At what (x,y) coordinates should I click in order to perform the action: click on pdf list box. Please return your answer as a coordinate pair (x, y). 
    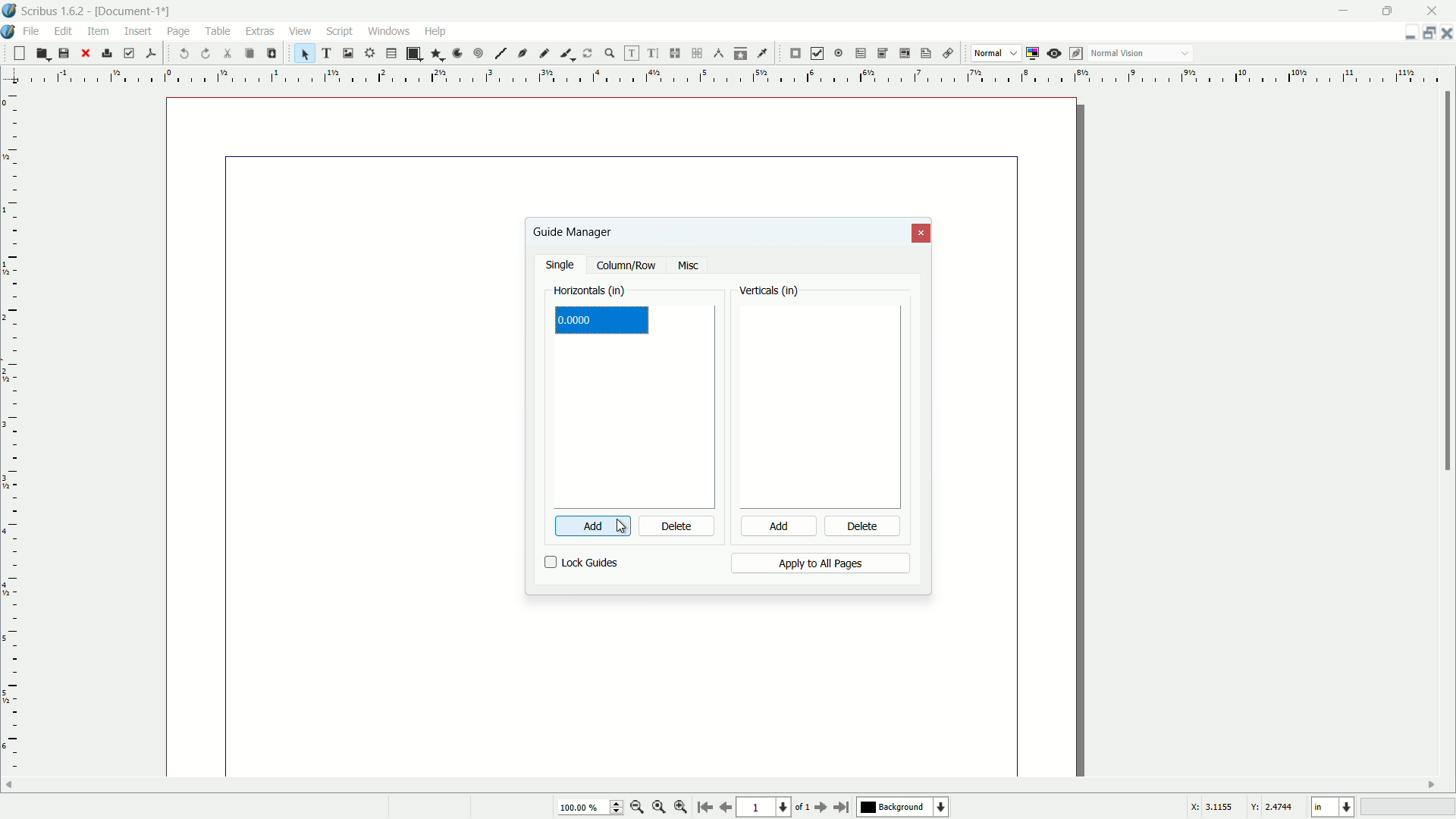
    Looking at the image, I should click on (902, 55).